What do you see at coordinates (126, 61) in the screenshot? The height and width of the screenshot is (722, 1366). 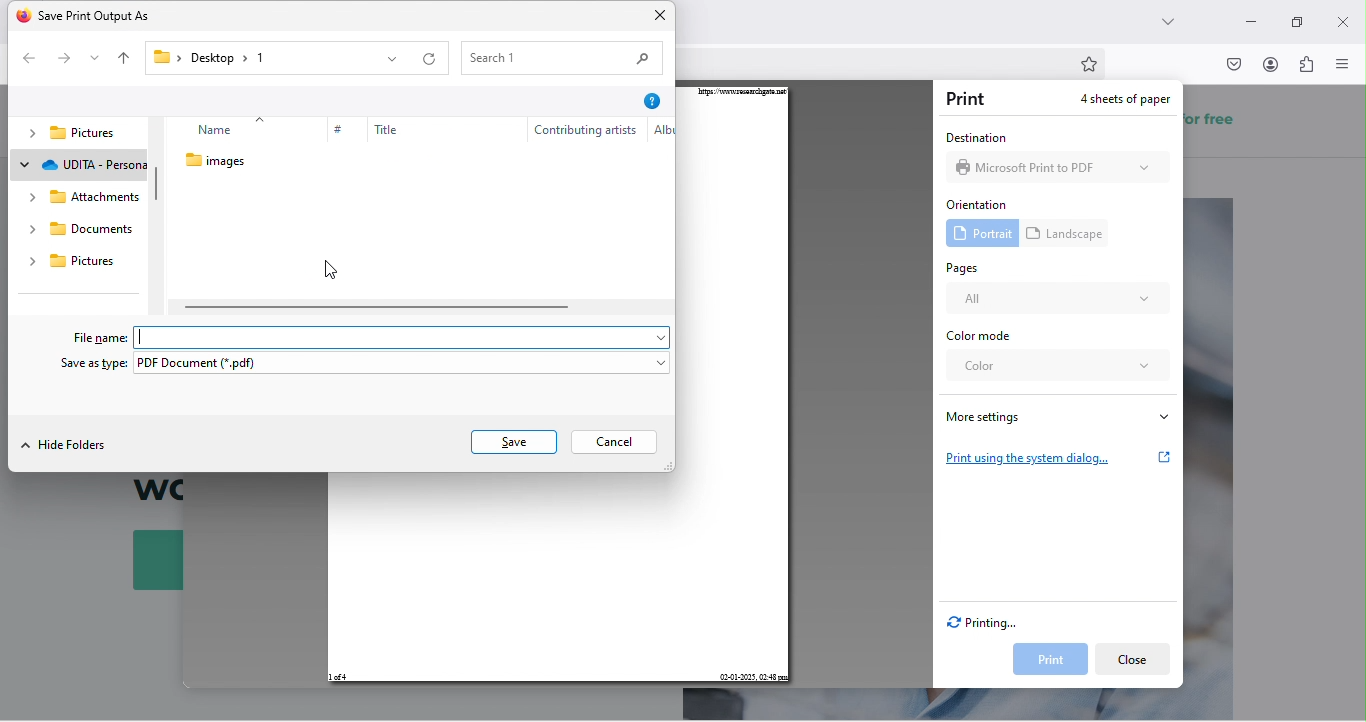 I see `up to` at bounding box center [126, 61].